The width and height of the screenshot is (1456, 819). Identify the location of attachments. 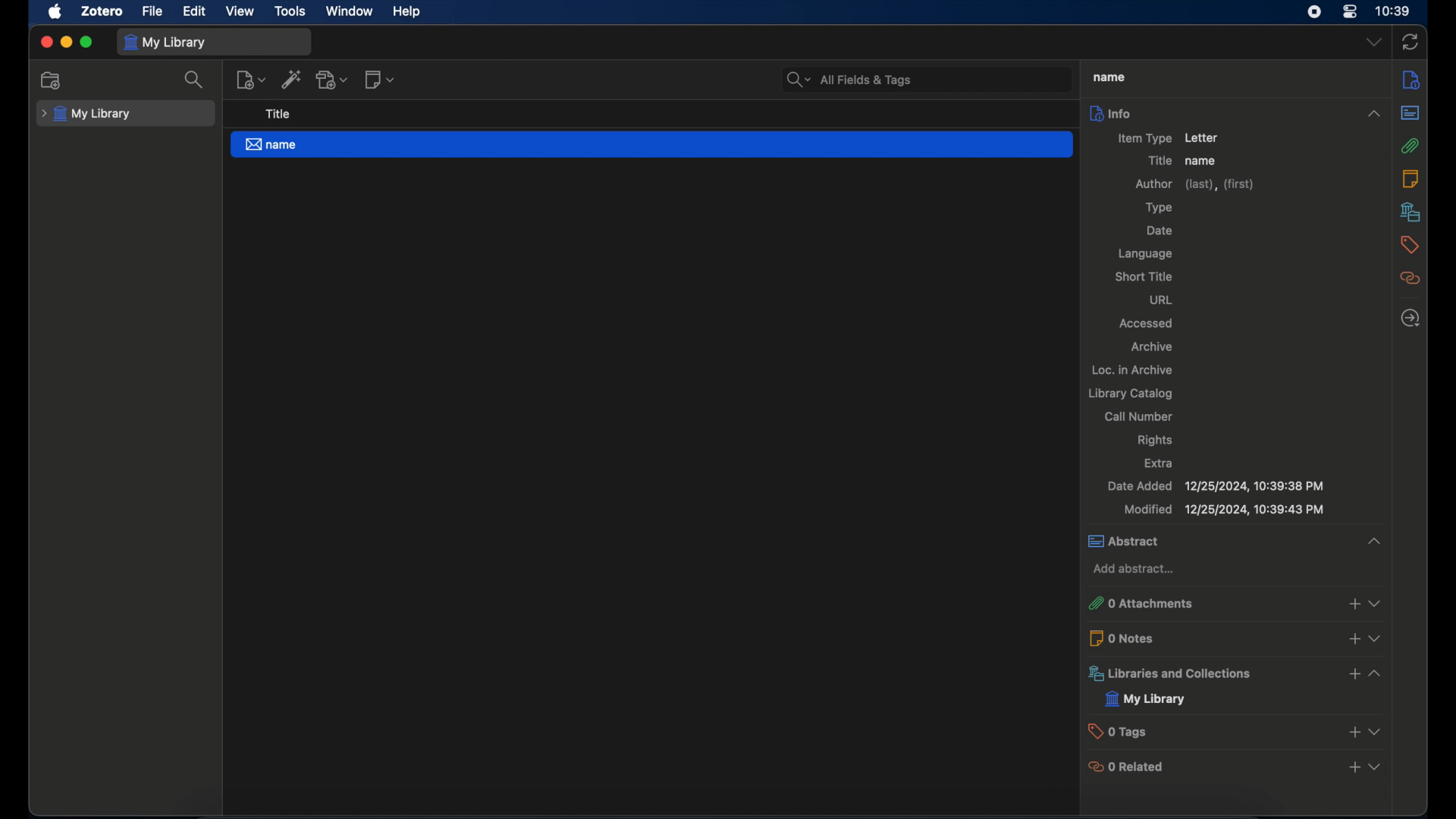
(1410, 146).